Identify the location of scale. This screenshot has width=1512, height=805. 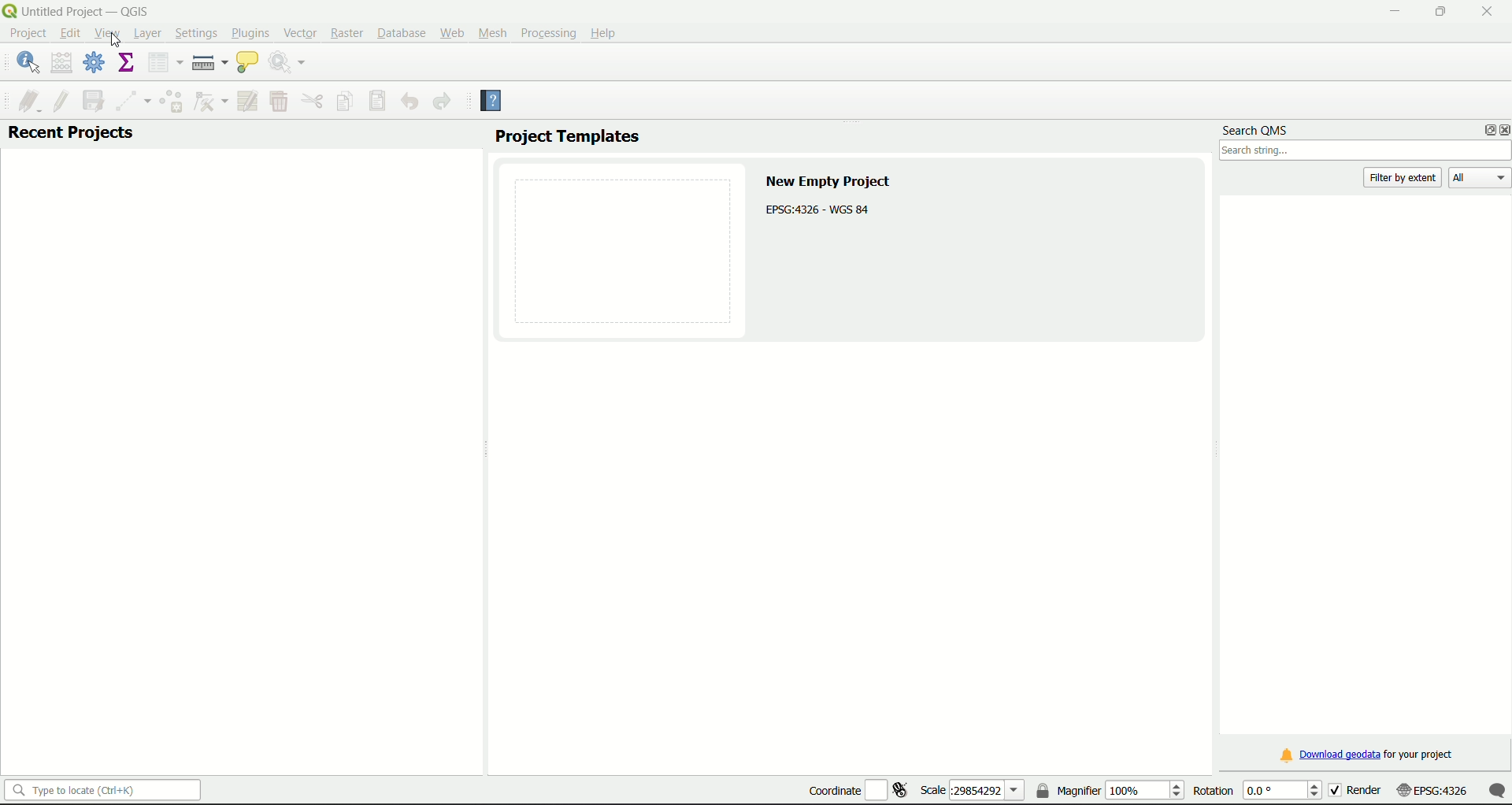
(1461, 792).